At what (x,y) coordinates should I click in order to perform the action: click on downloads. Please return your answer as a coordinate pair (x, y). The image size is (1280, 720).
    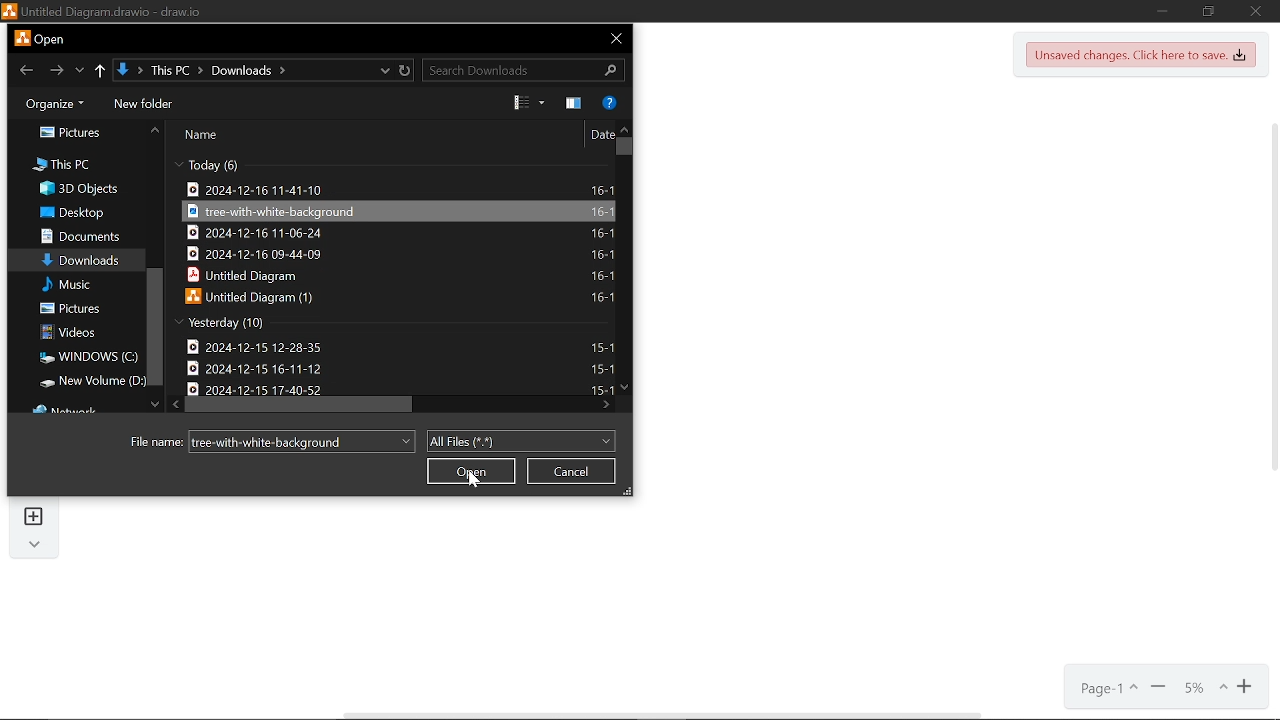
    Looking at the image, I should click on (80, 261).